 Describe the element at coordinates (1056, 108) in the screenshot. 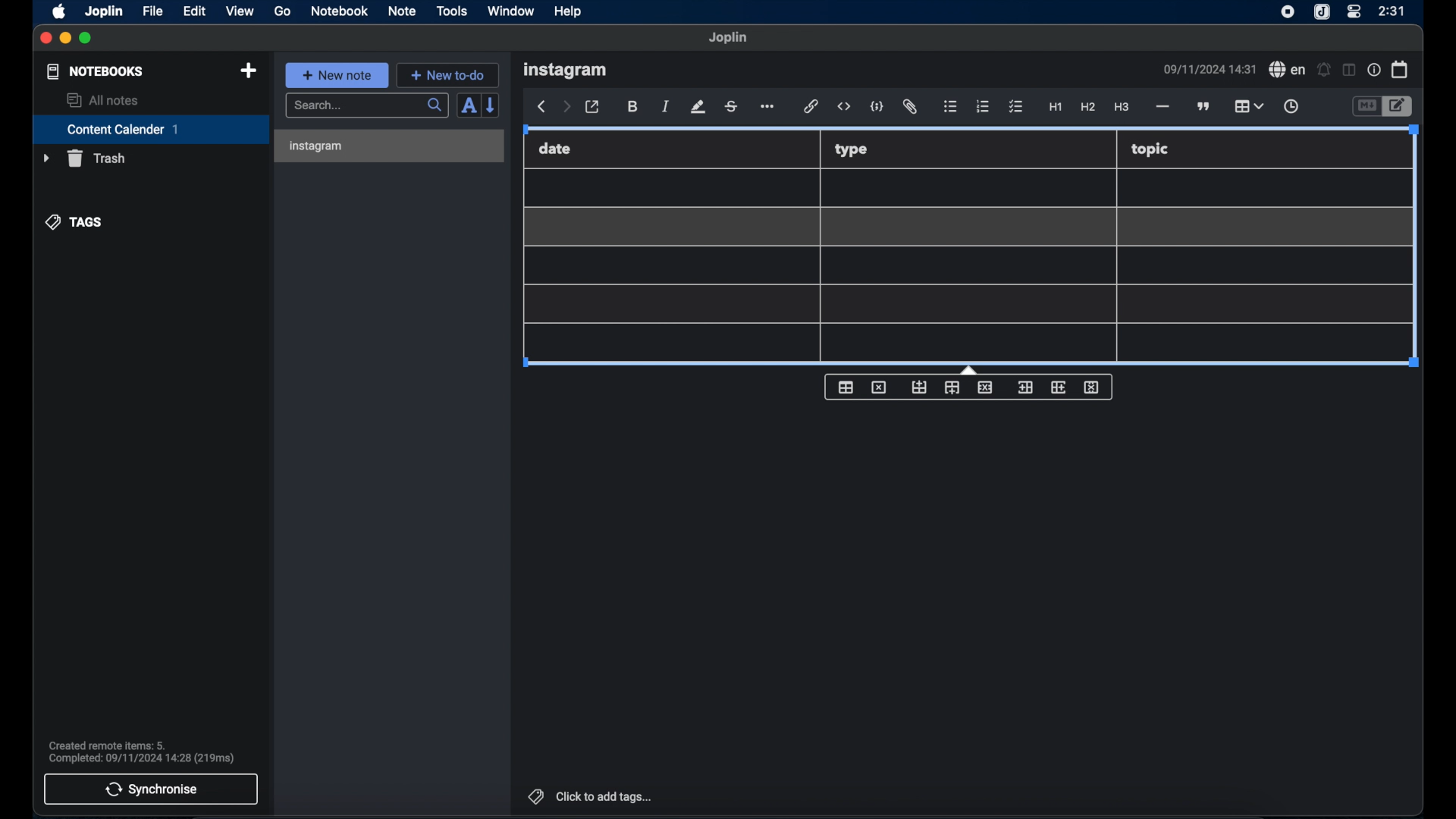

I see `heading 1` at that location.